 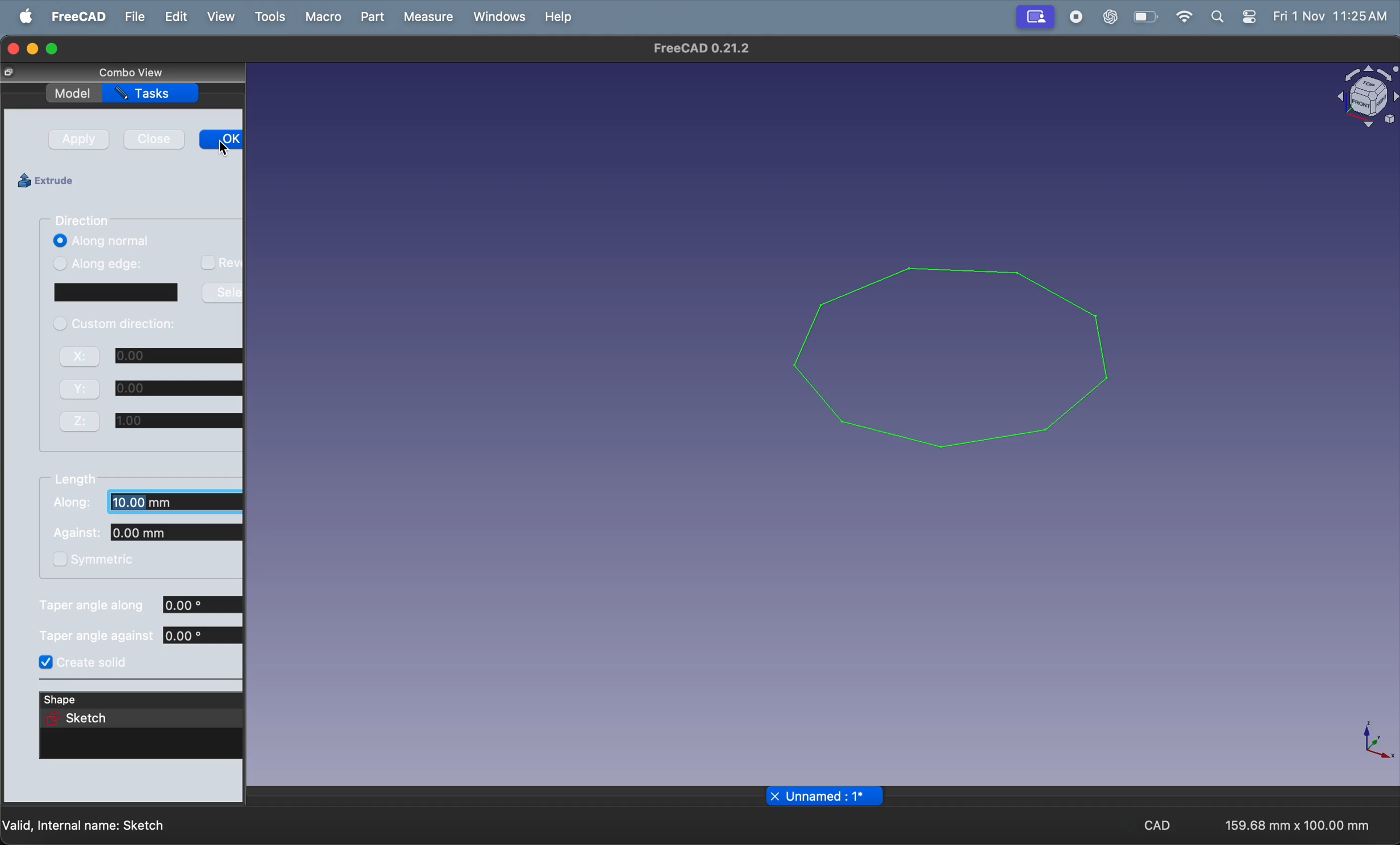 I want to click on along: 10.00mm, so click(x=139, y=504).